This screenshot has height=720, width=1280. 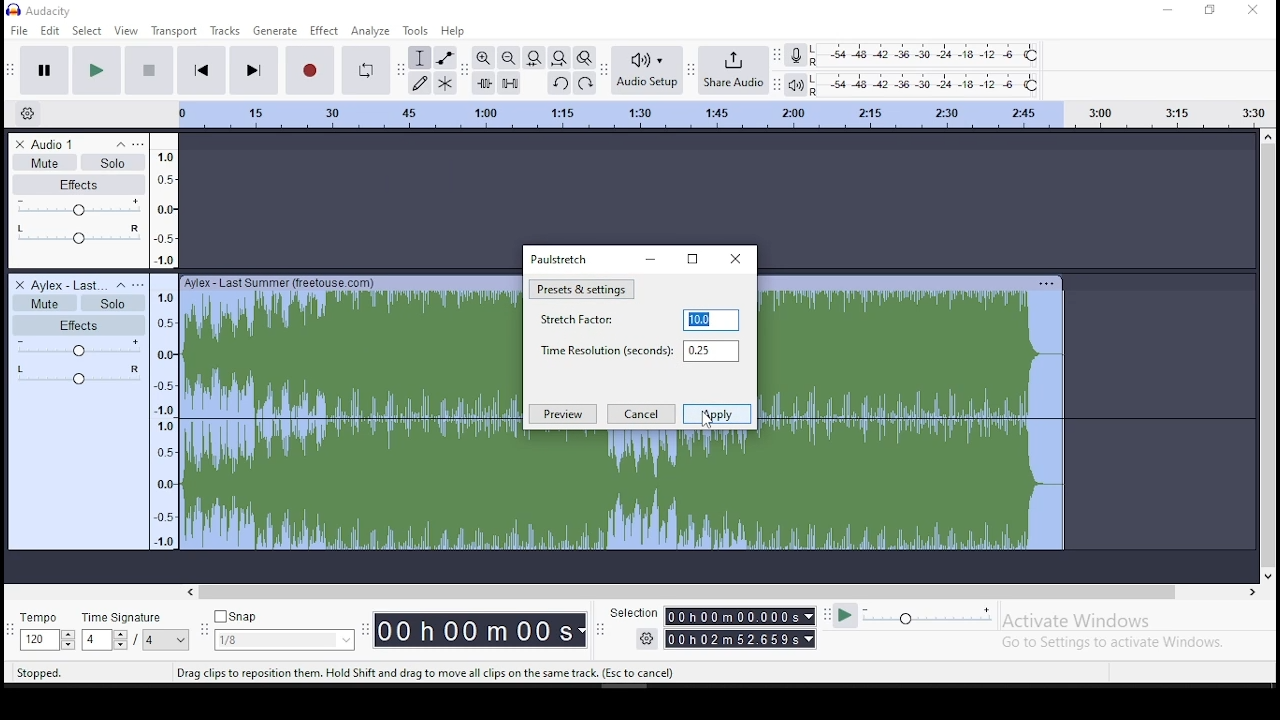 I want to click on trim audio outside selection, so click(x=482, y=82).